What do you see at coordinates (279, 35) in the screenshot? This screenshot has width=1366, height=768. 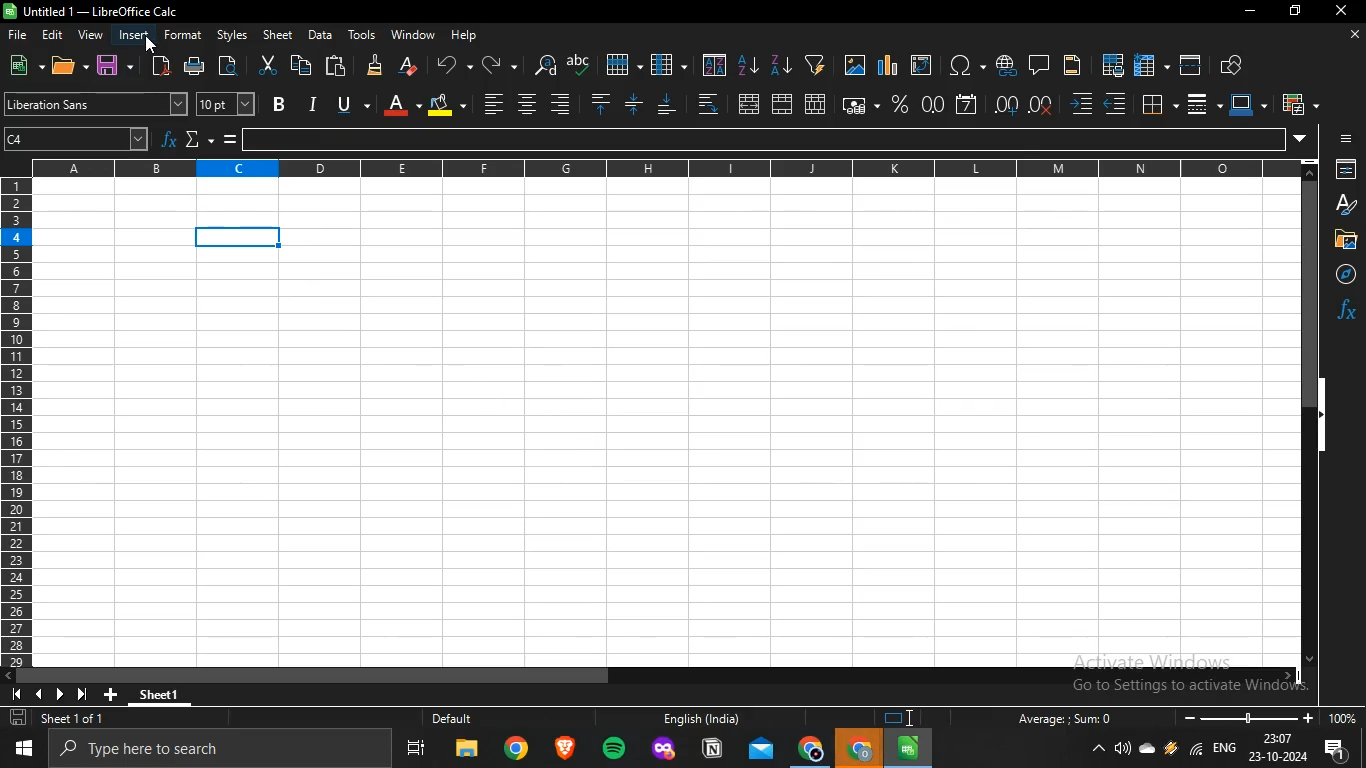 I see `sheet` at bounding box center [279, 35].